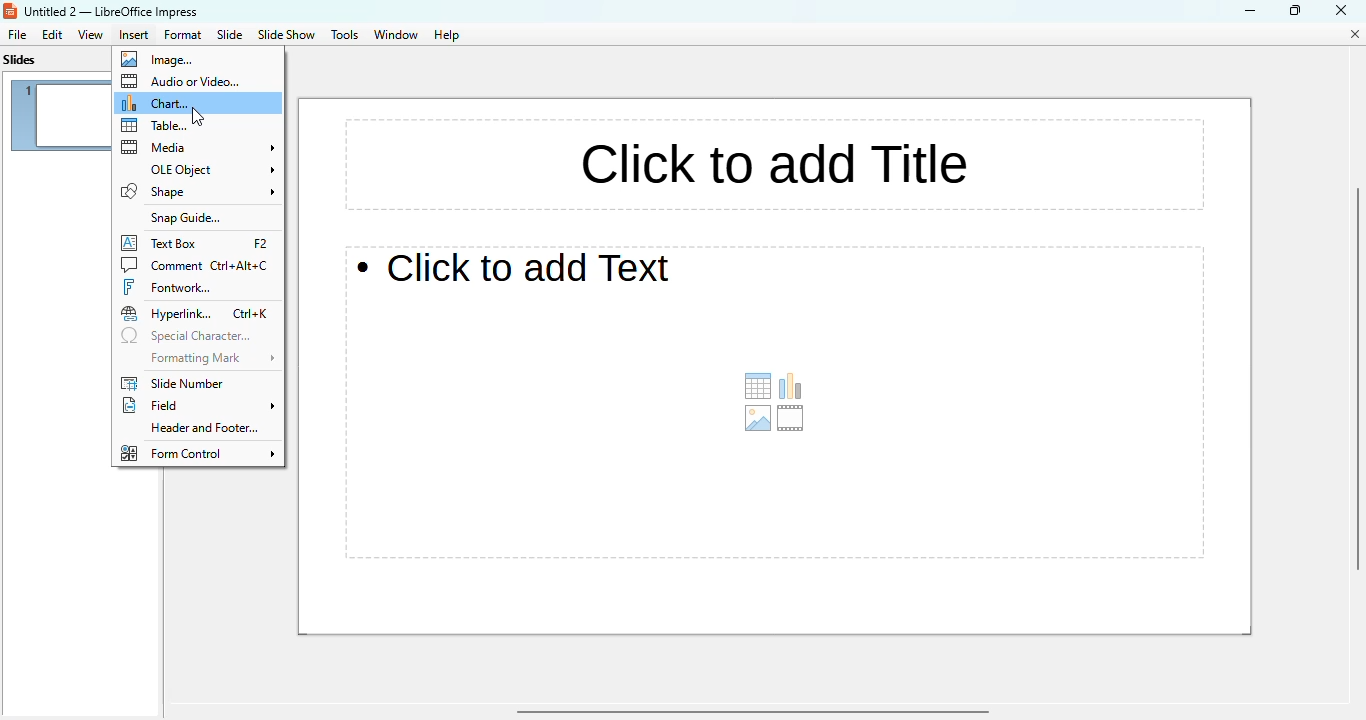 The width and height of the screenshot is (1366, 720). What do you see at coordinates (345, 34) in the screenshot?
I see `tools` at bounding box center [345, 34].